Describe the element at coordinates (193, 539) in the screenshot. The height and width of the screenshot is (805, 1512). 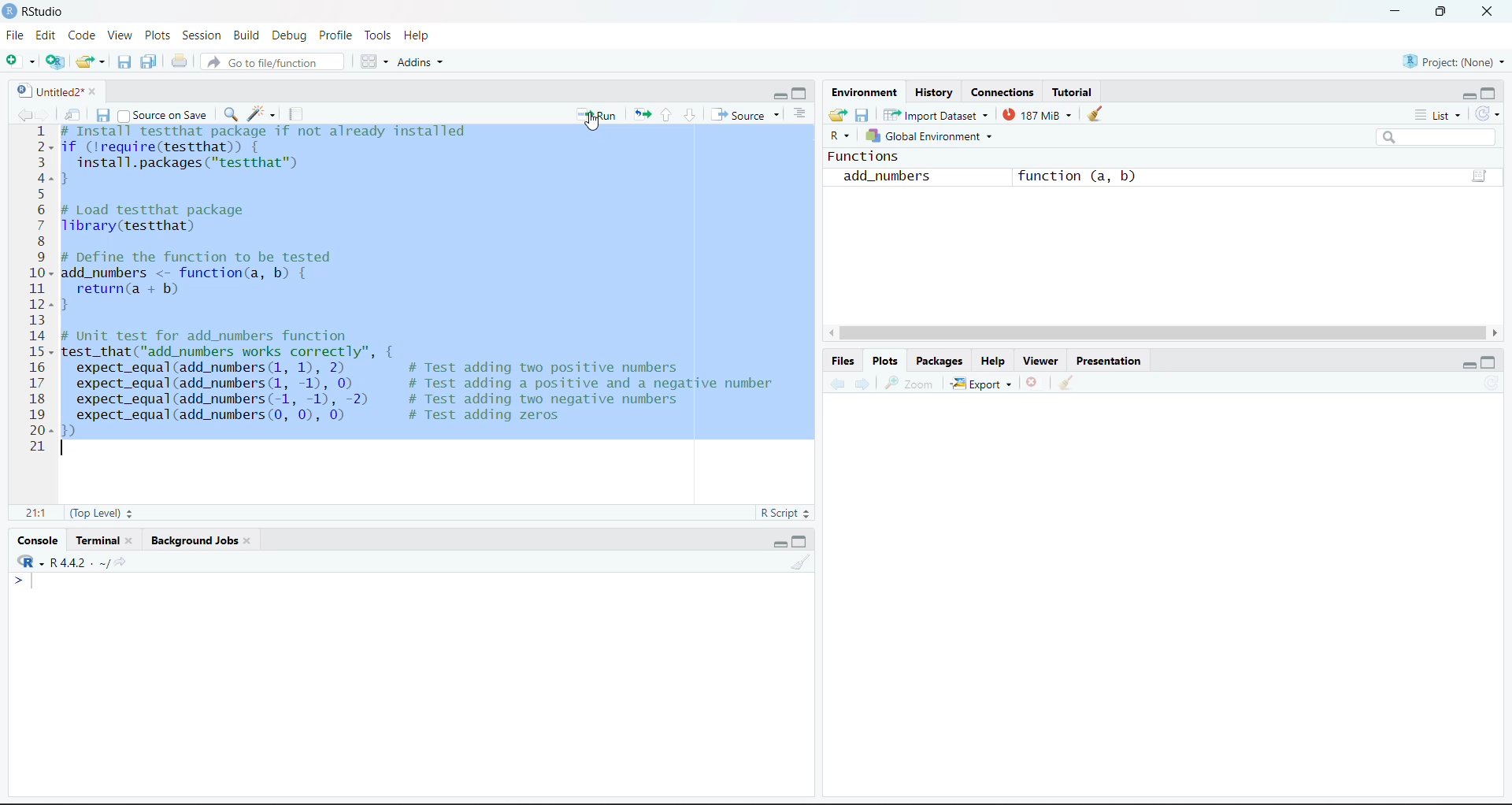
I see `Background Jobs` at that location.